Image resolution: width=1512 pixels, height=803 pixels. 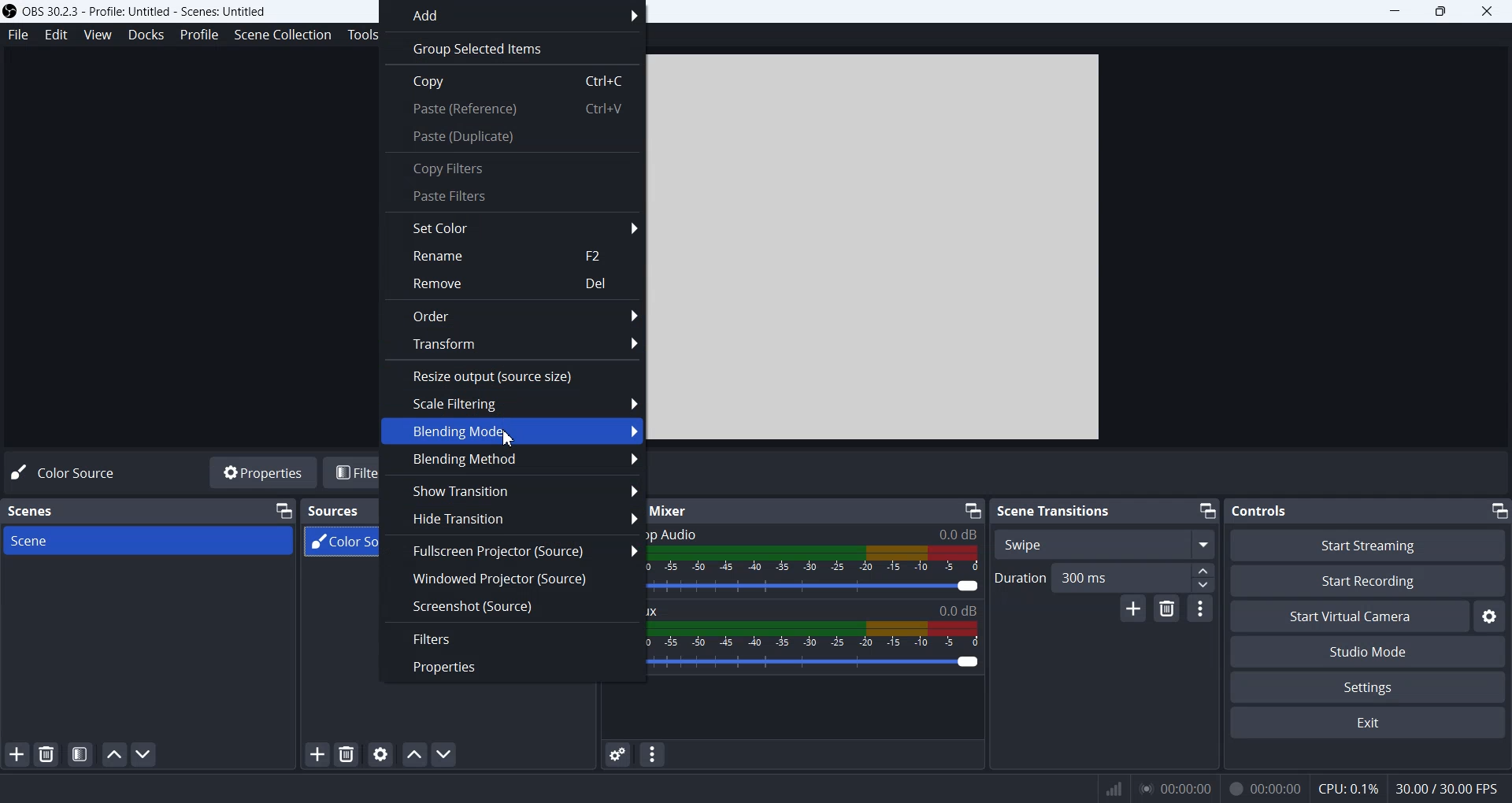 What do you see at coordinates (513, 257) in the screenshot?
I see `Rename` at bounding box center [513, 257].